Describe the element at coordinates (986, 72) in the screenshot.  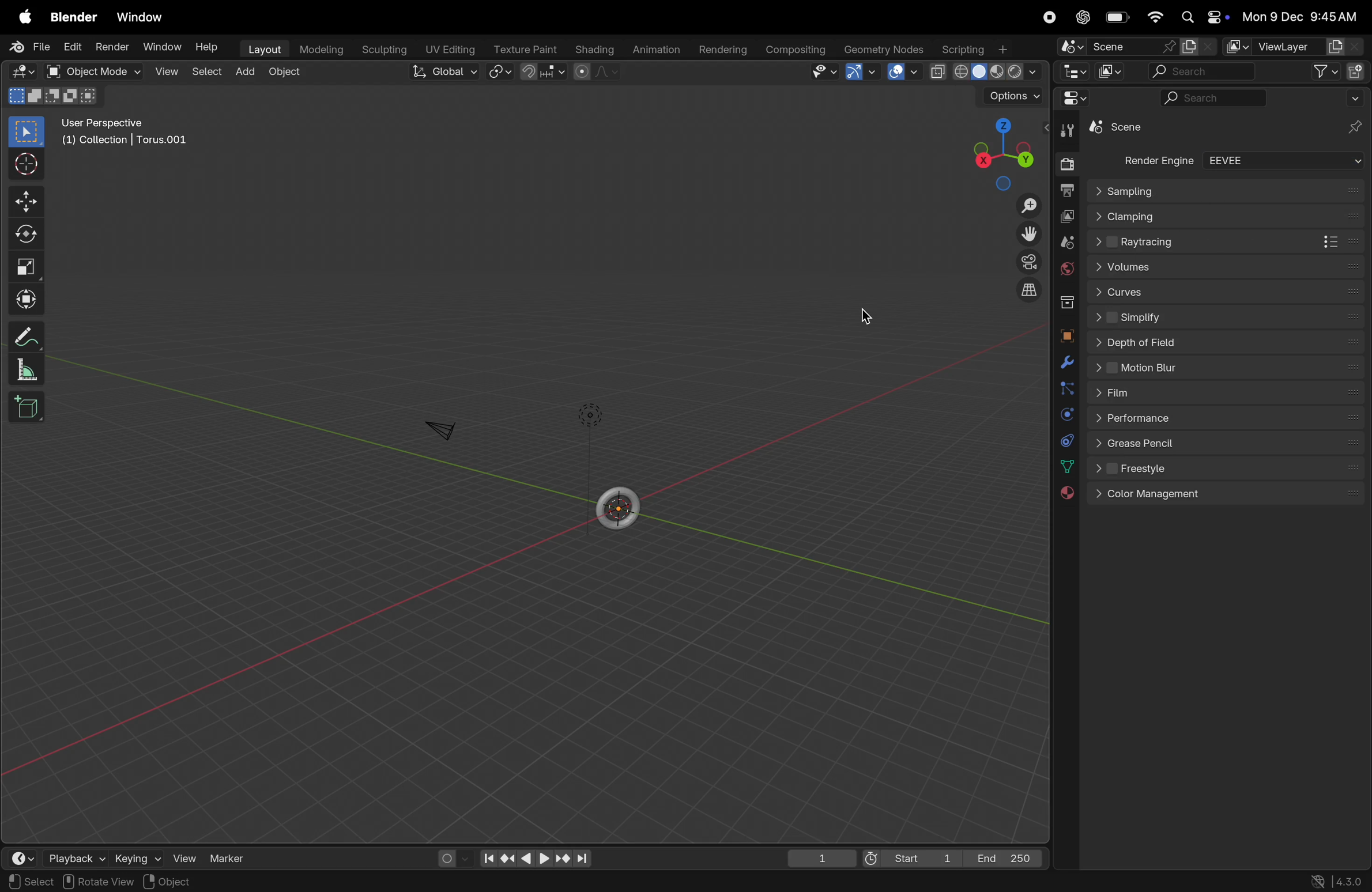
I see `shading` at that location.